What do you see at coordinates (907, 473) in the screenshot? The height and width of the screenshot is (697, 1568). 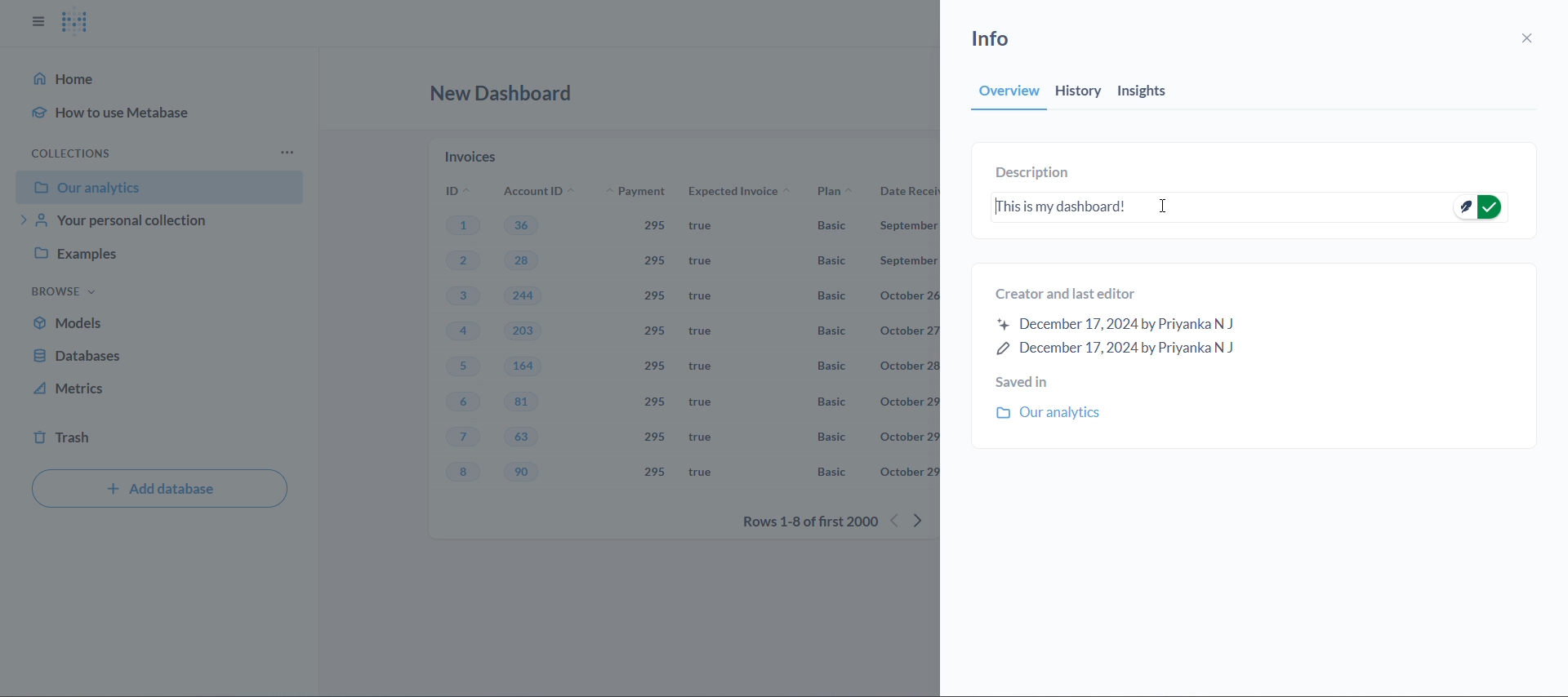 I see `october 29` at bounding box center [907, 473].